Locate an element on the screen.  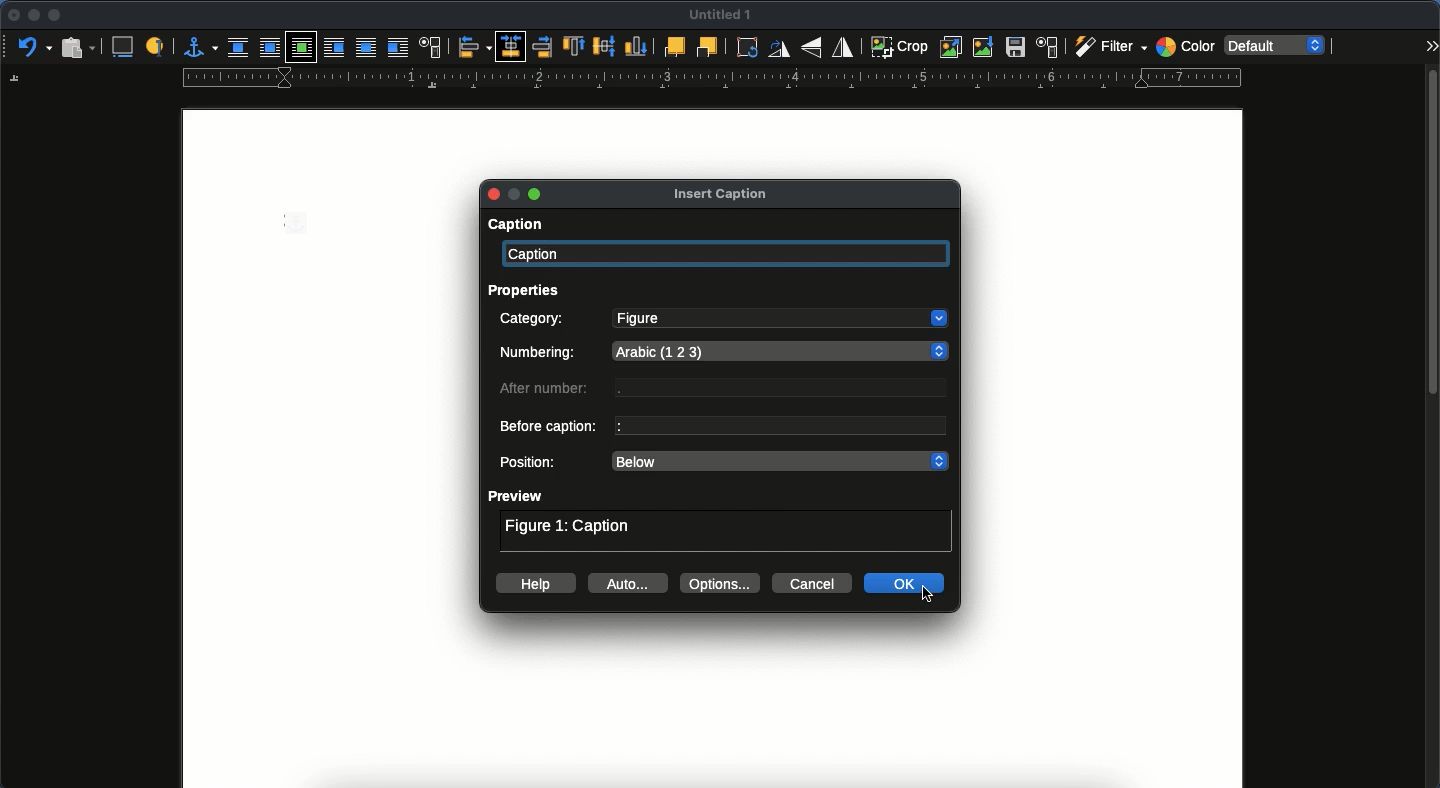
below is located at coordinates (780, 462).